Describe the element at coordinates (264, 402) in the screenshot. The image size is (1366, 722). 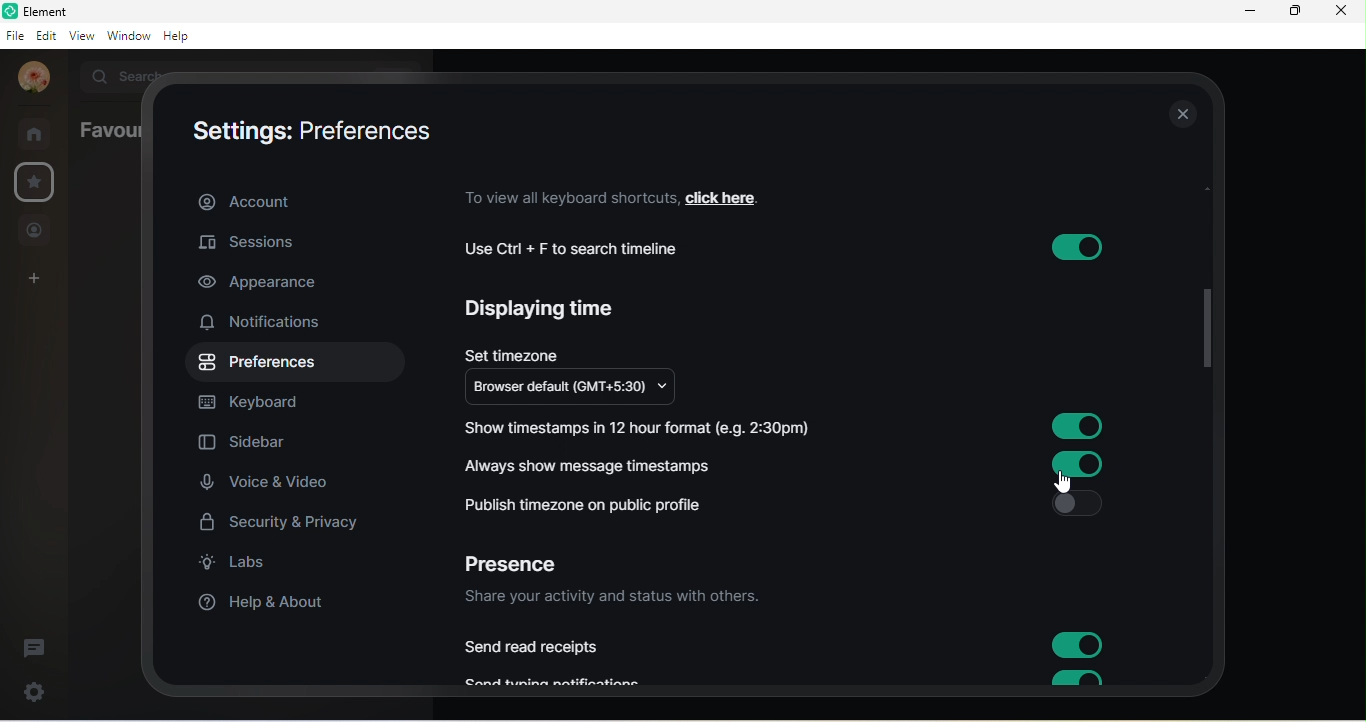
I see `keyboard` at that location.